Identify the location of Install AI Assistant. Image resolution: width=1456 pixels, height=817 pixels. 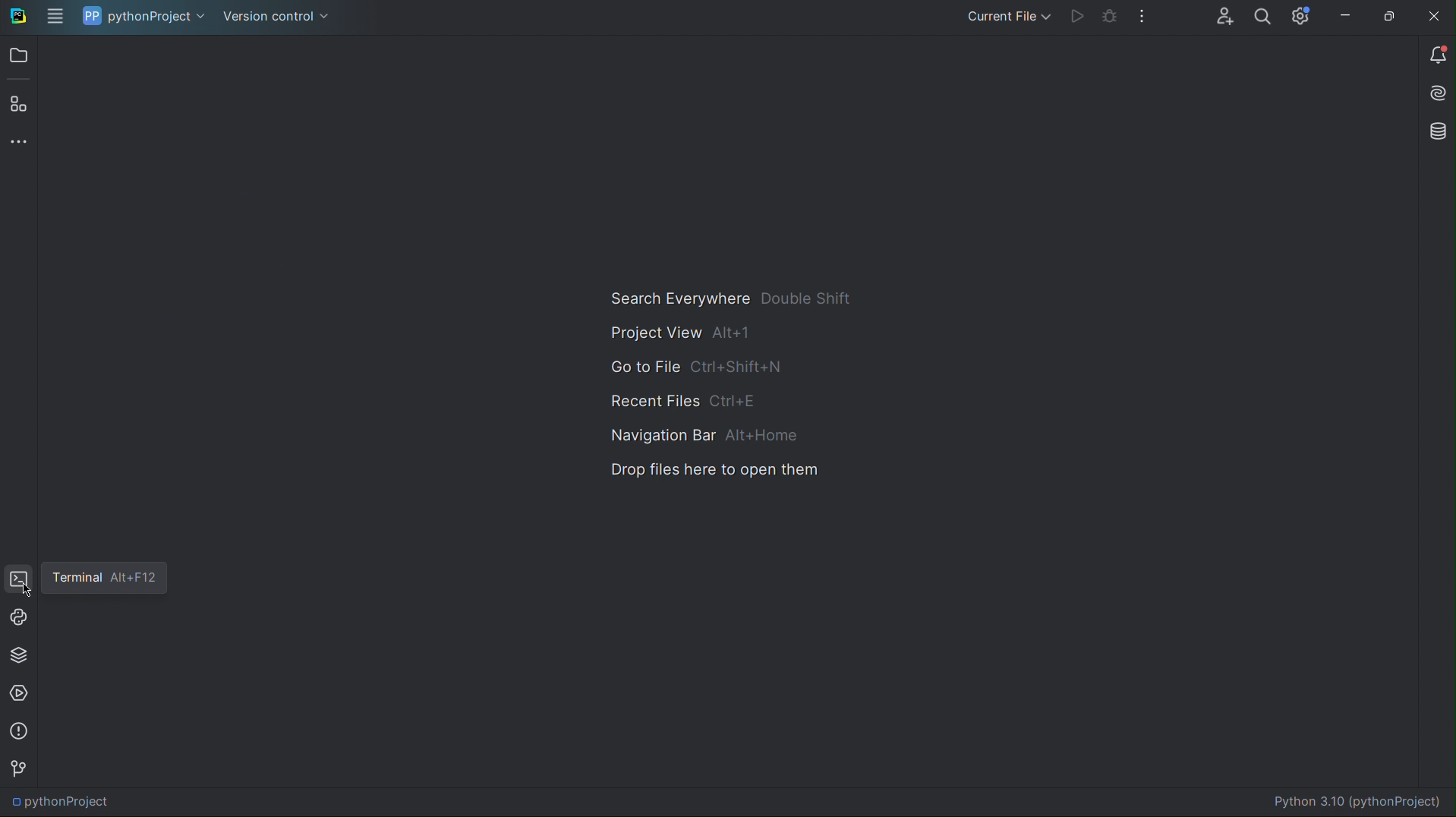
(1434, 93).